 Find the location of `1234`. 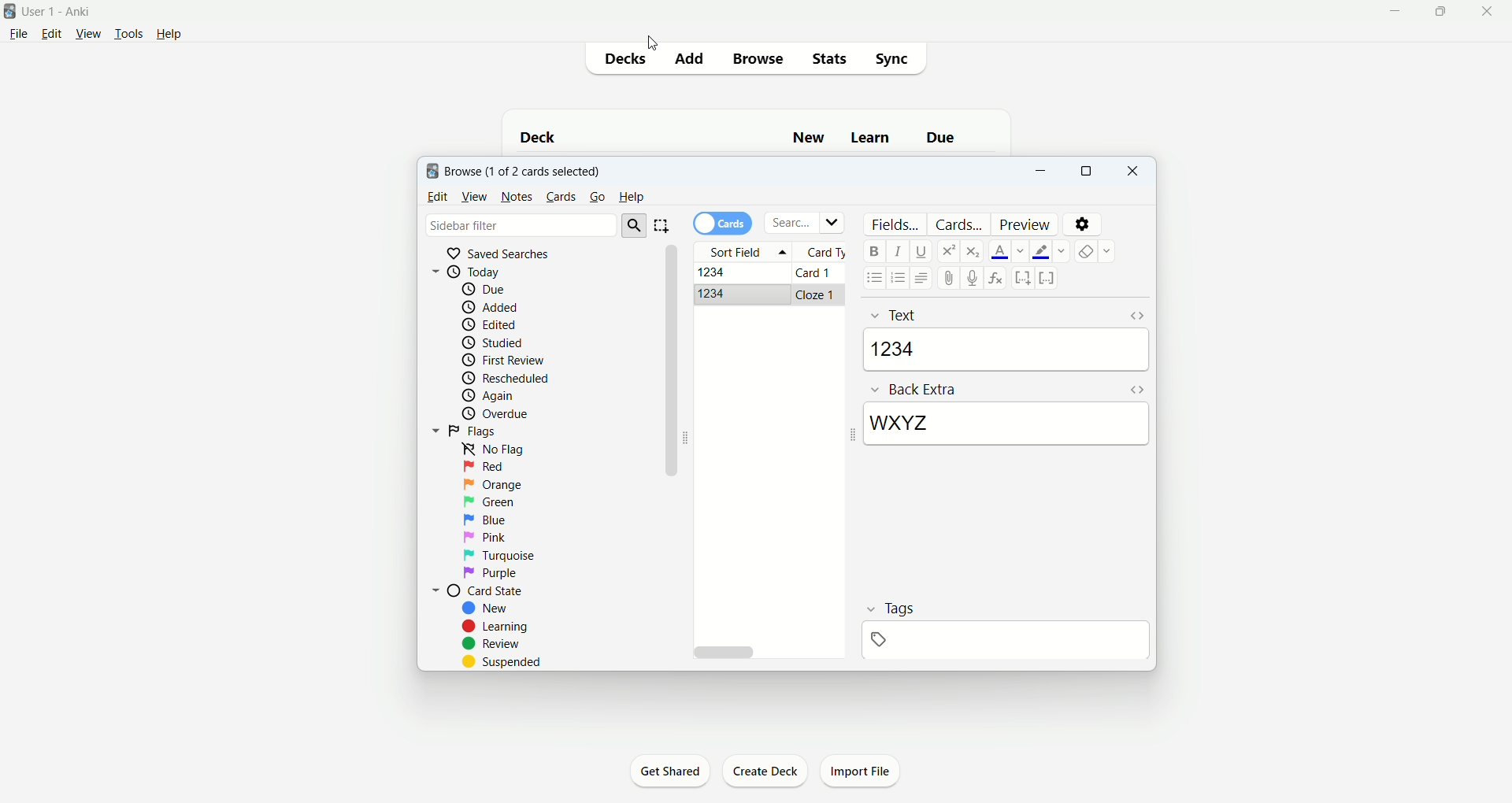

1234 is located at coordinates (1008, 351).